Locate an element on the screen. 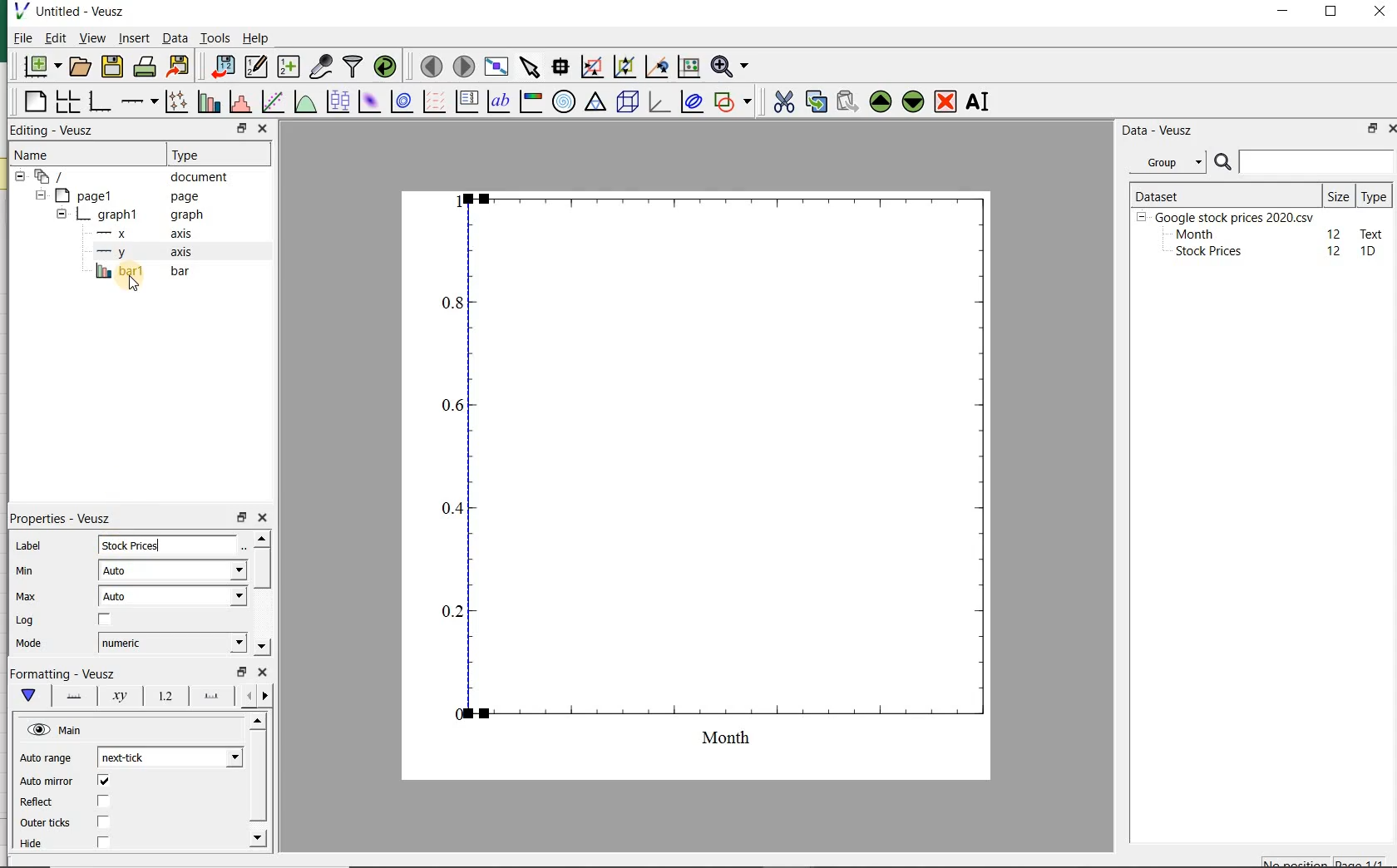 Image resolution: width=1397 pixels, height=868 pixels. close is located at coordinates (262, 673).